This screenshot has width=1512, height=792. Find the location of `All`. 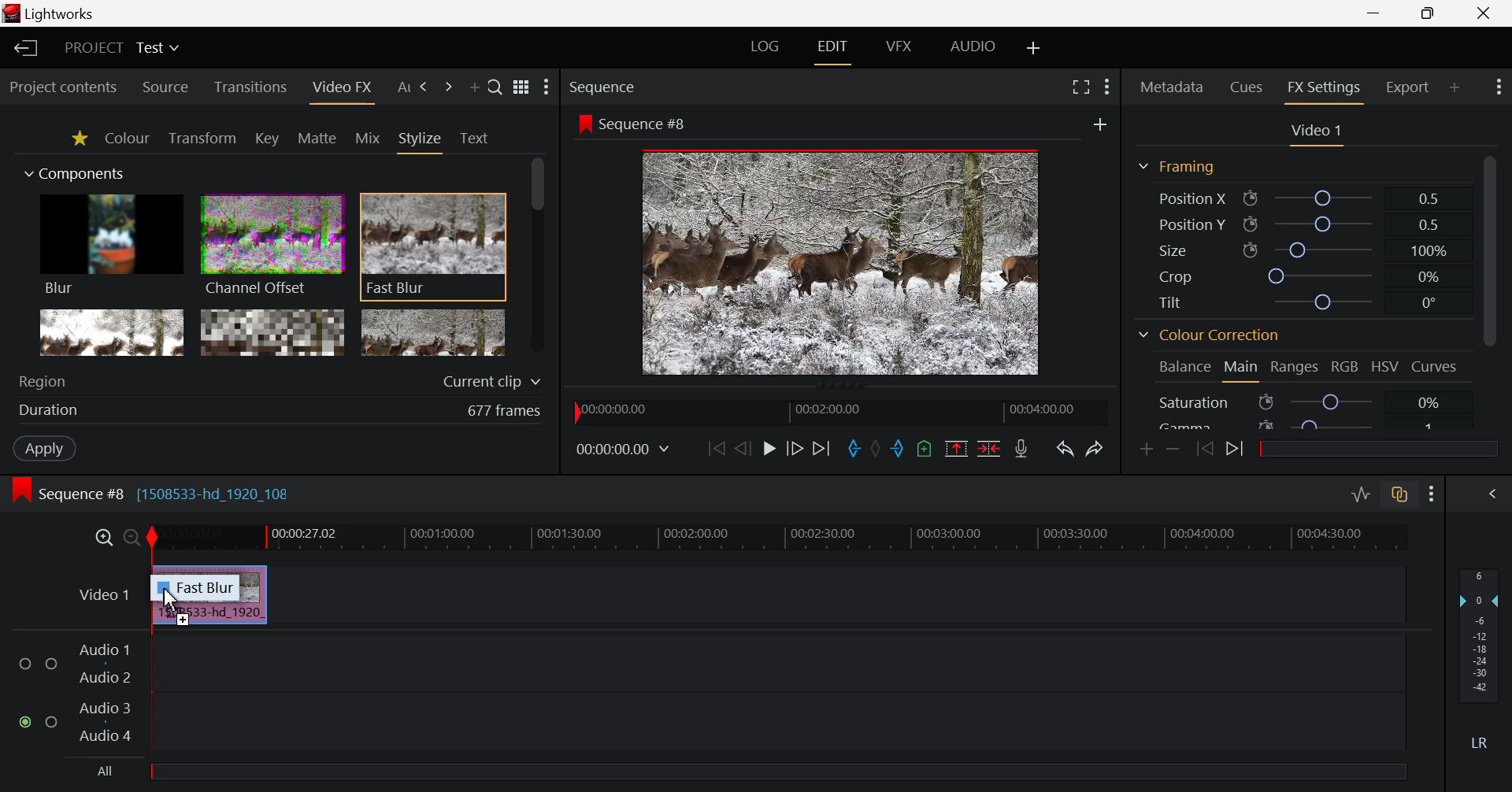

All is located at coordinates (102, 770).